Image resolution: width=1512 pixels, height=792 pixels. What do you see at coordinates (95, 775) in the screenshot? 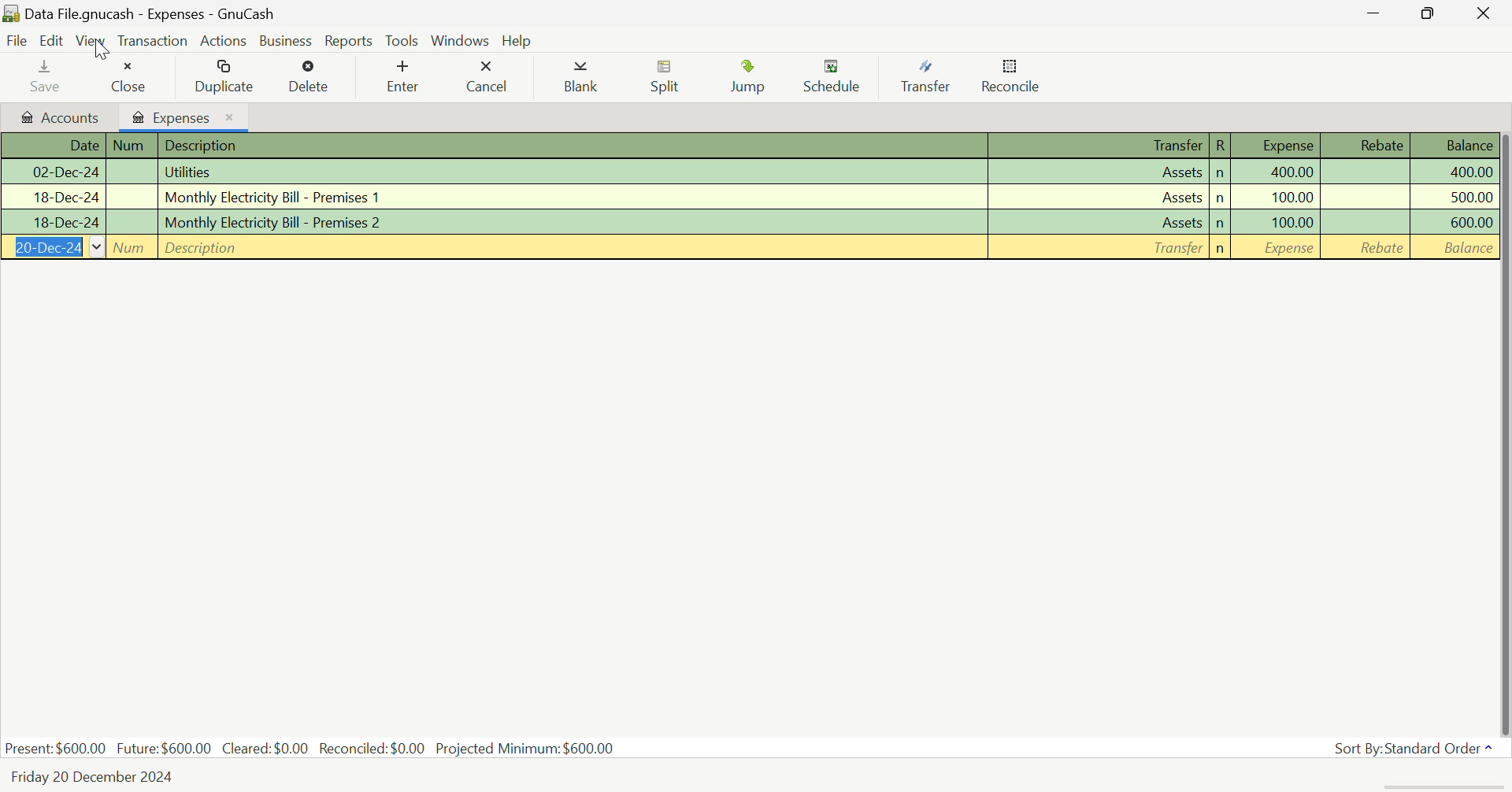
I see `Friday 20 December 2024` at bounding box center [95, 775].